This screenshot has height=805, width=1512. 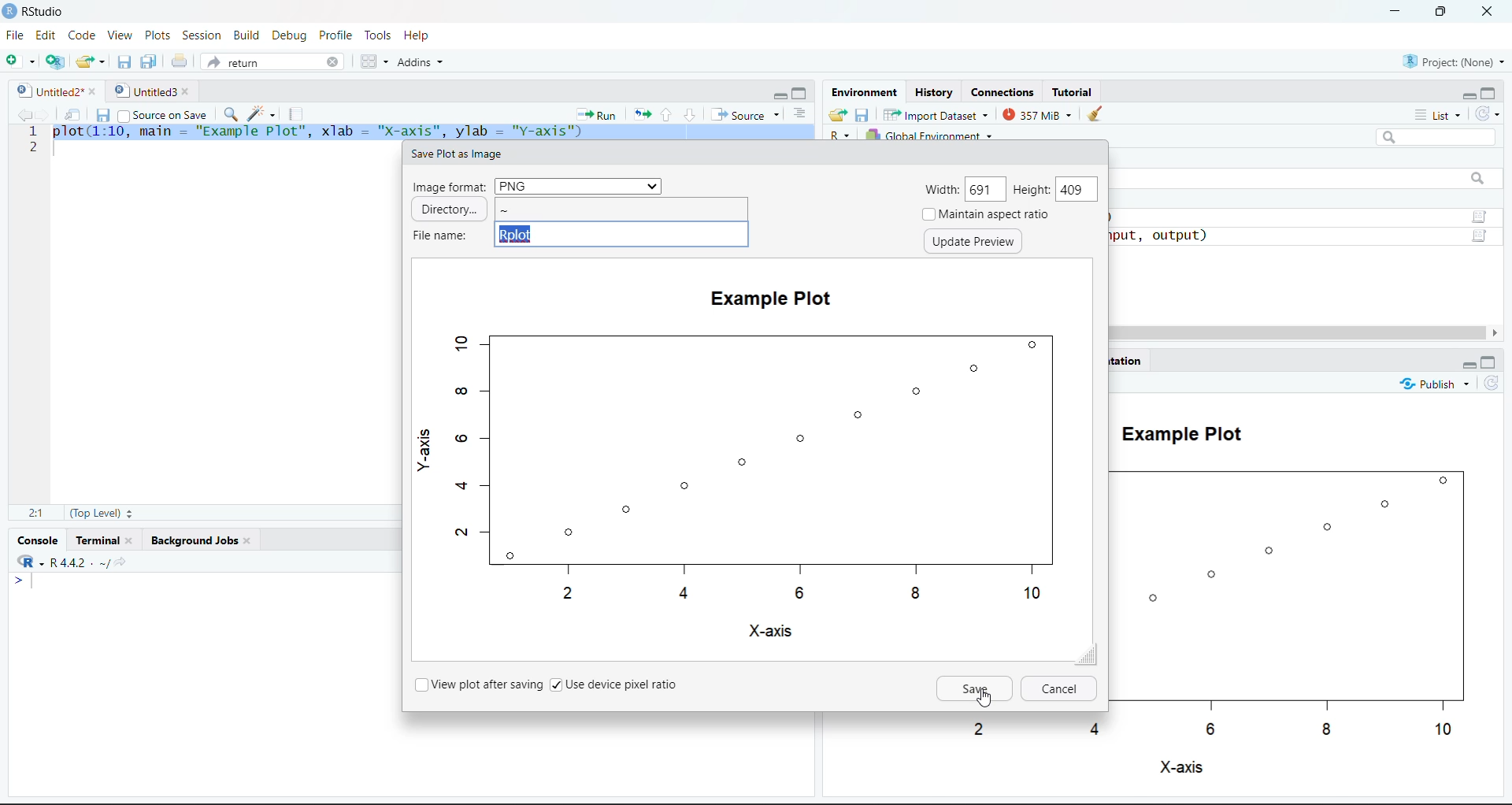 I want to click on Show document outline (Ctrl + Shift + O), so click(x=798, y=113).